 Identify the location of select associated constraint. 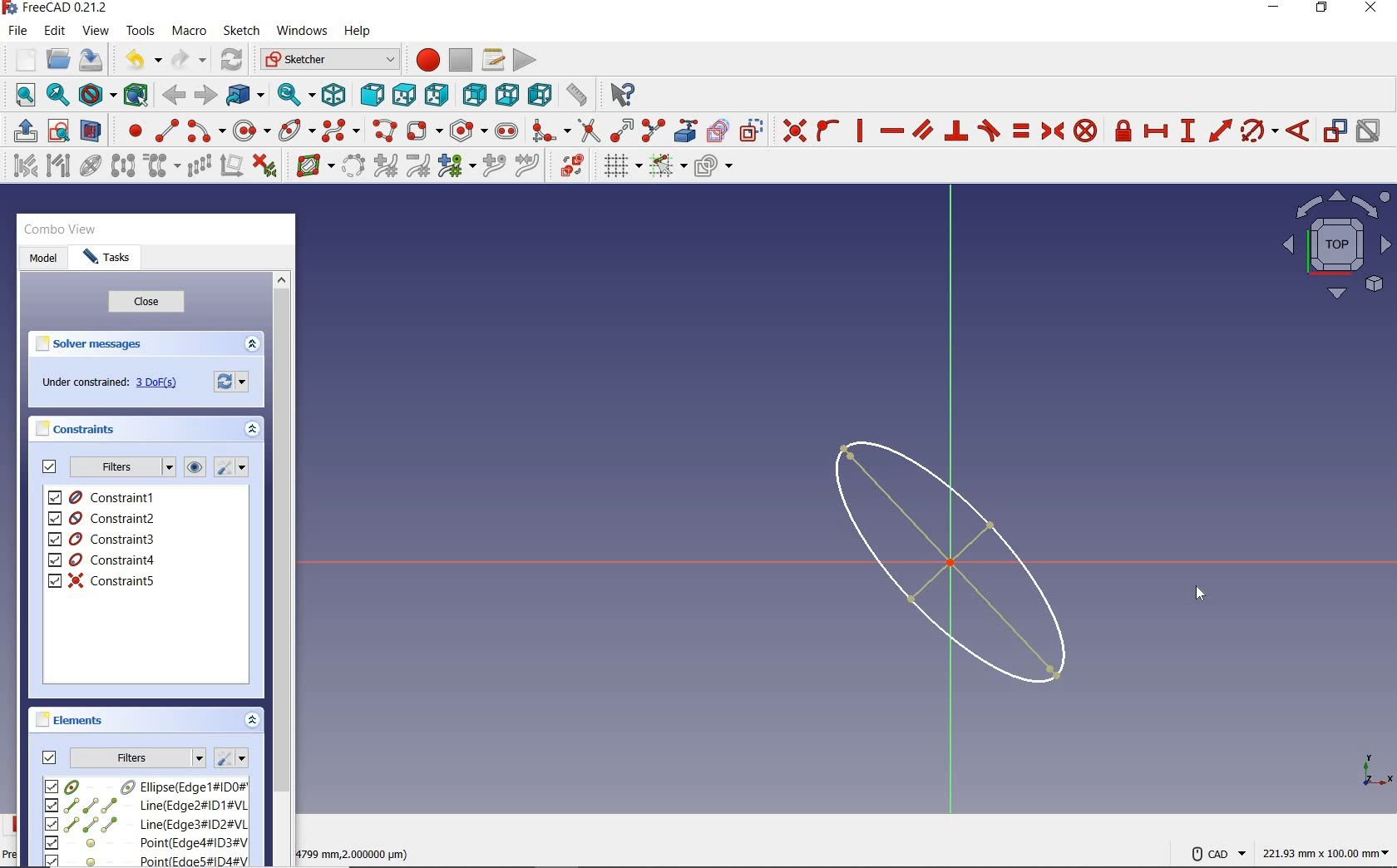
(21, 165).